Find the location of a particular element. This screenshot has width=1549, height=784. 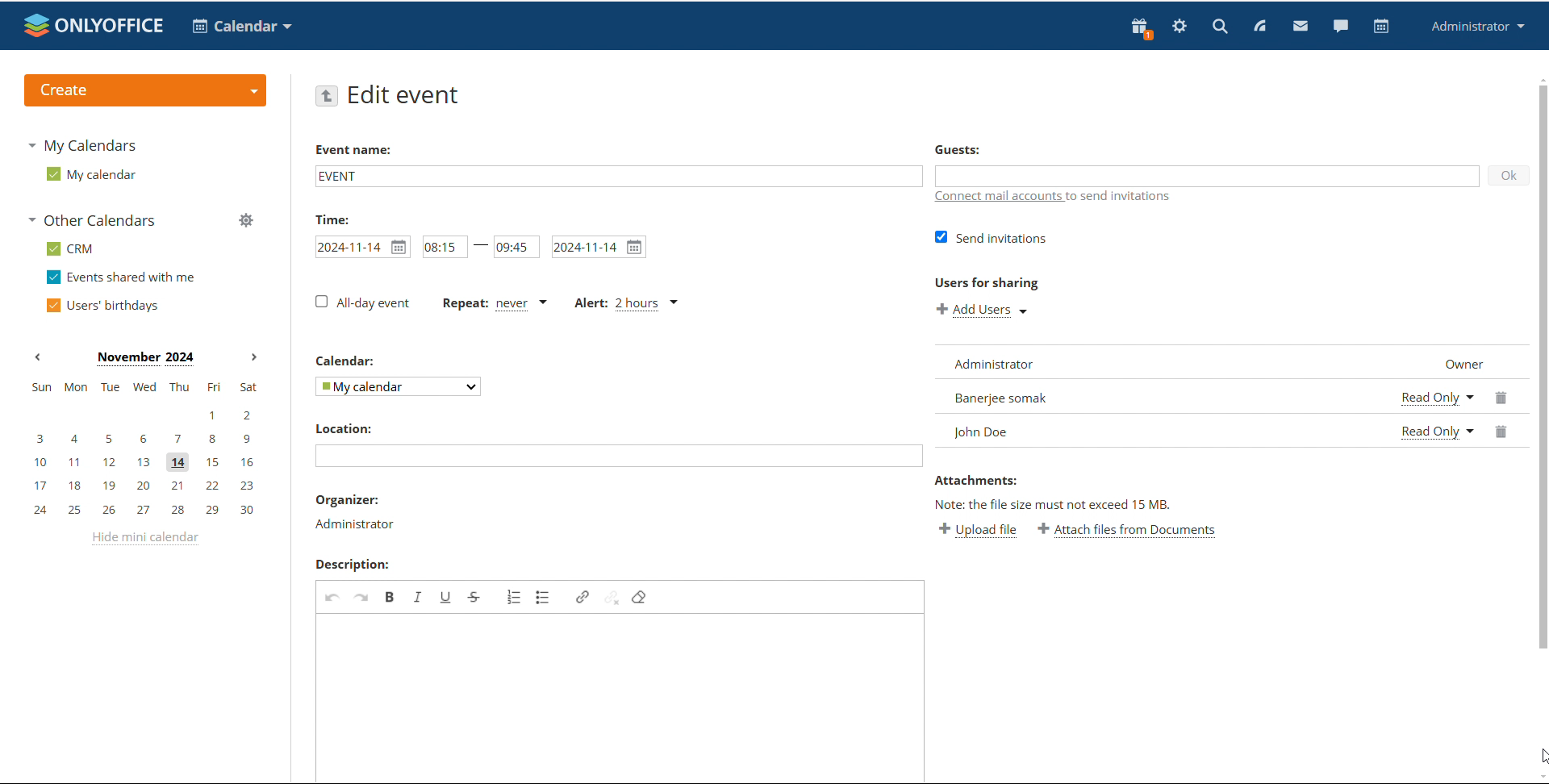

go back is located at coordinates (326, 96).